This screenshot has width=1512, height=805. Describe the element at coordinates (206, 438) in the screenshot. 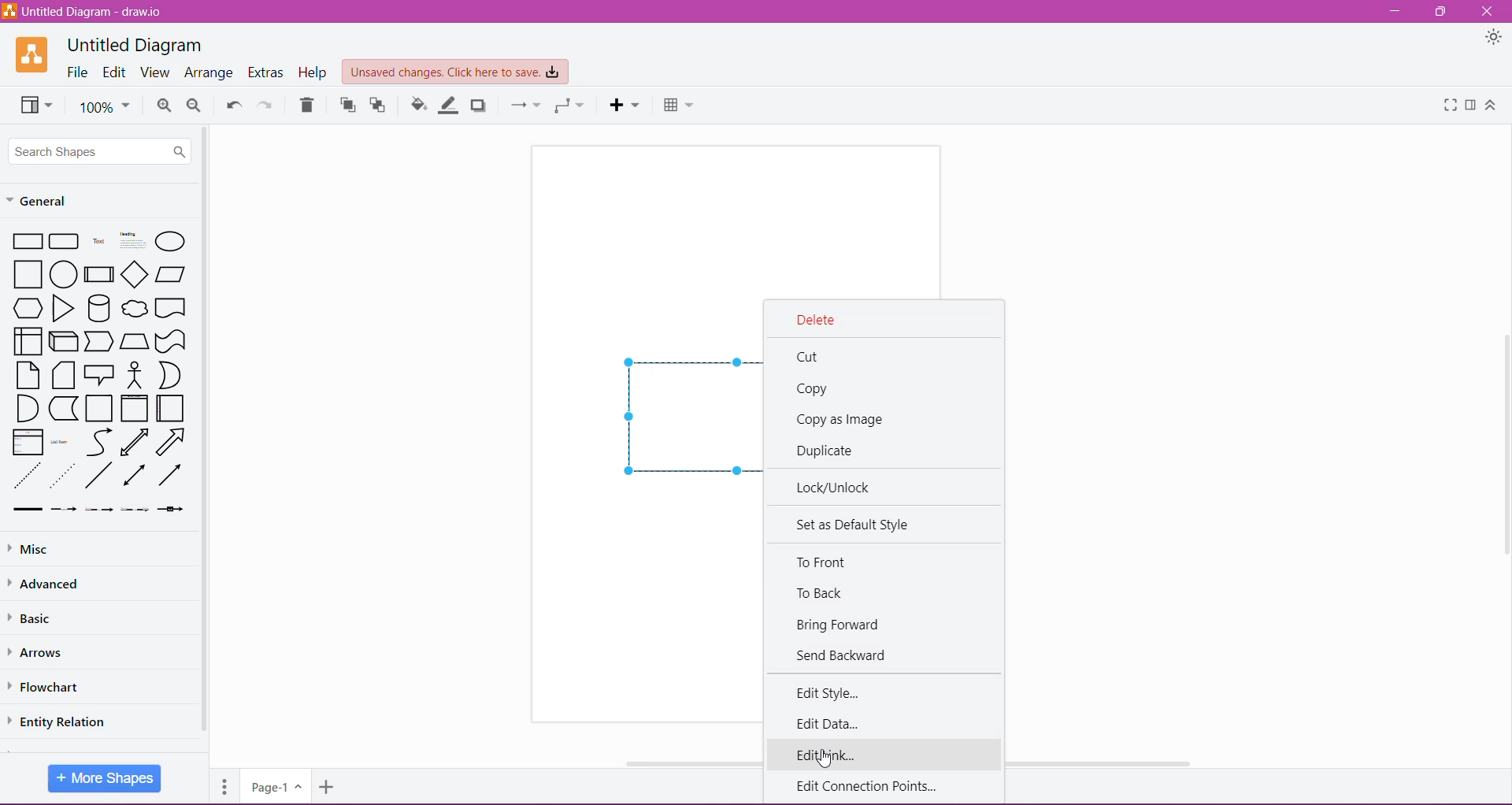

I see `Vertical Scroll Bar` at that location.